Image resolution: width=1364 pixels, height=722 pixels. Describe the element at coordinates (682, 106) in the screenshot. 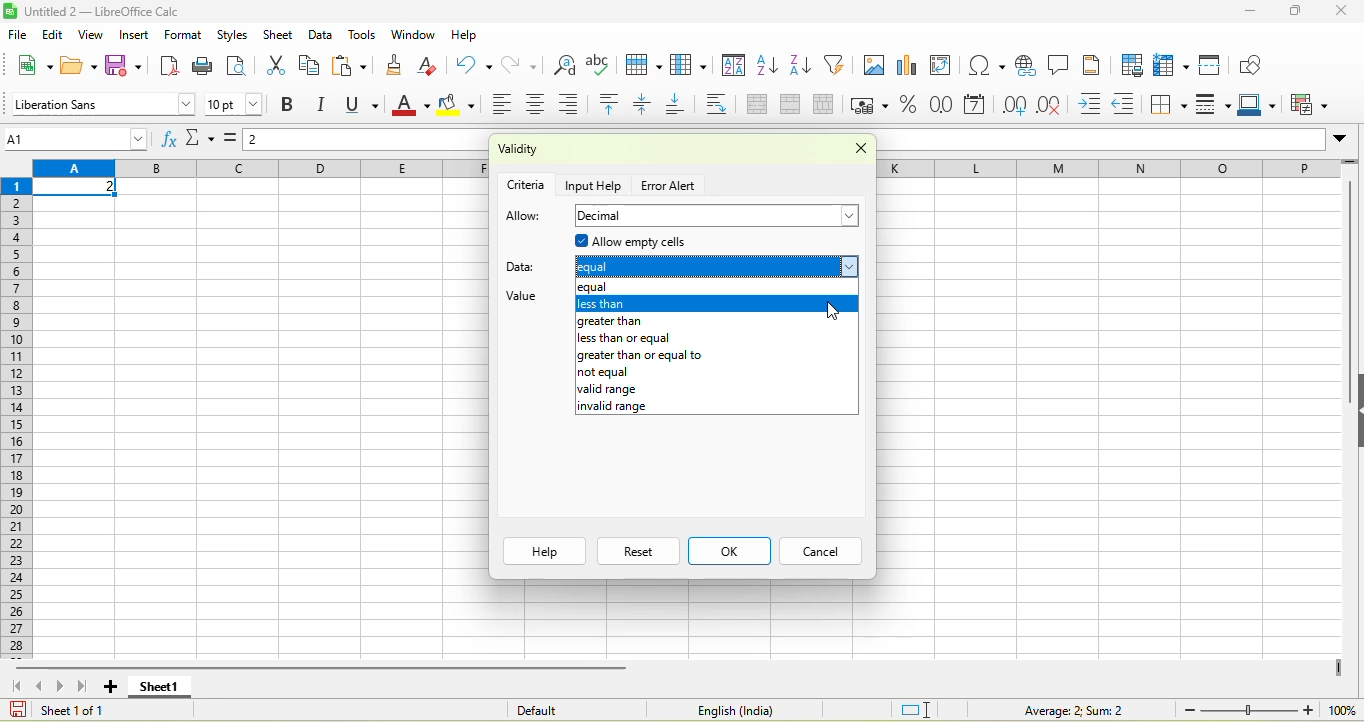

I see `align bottom` at that location.